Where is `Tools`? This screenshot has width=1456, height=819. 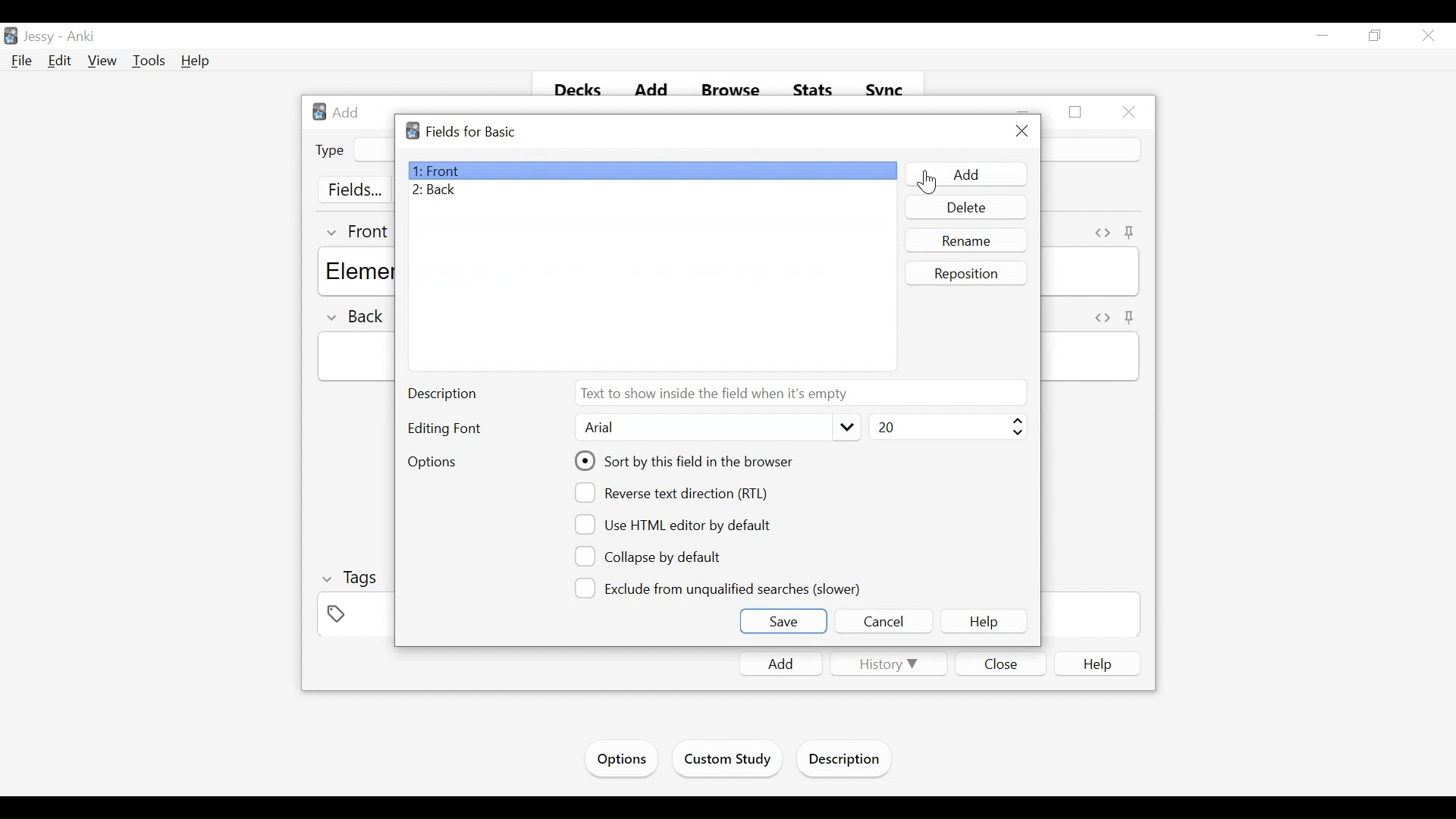
Tools is located at coordinates (149, 61).